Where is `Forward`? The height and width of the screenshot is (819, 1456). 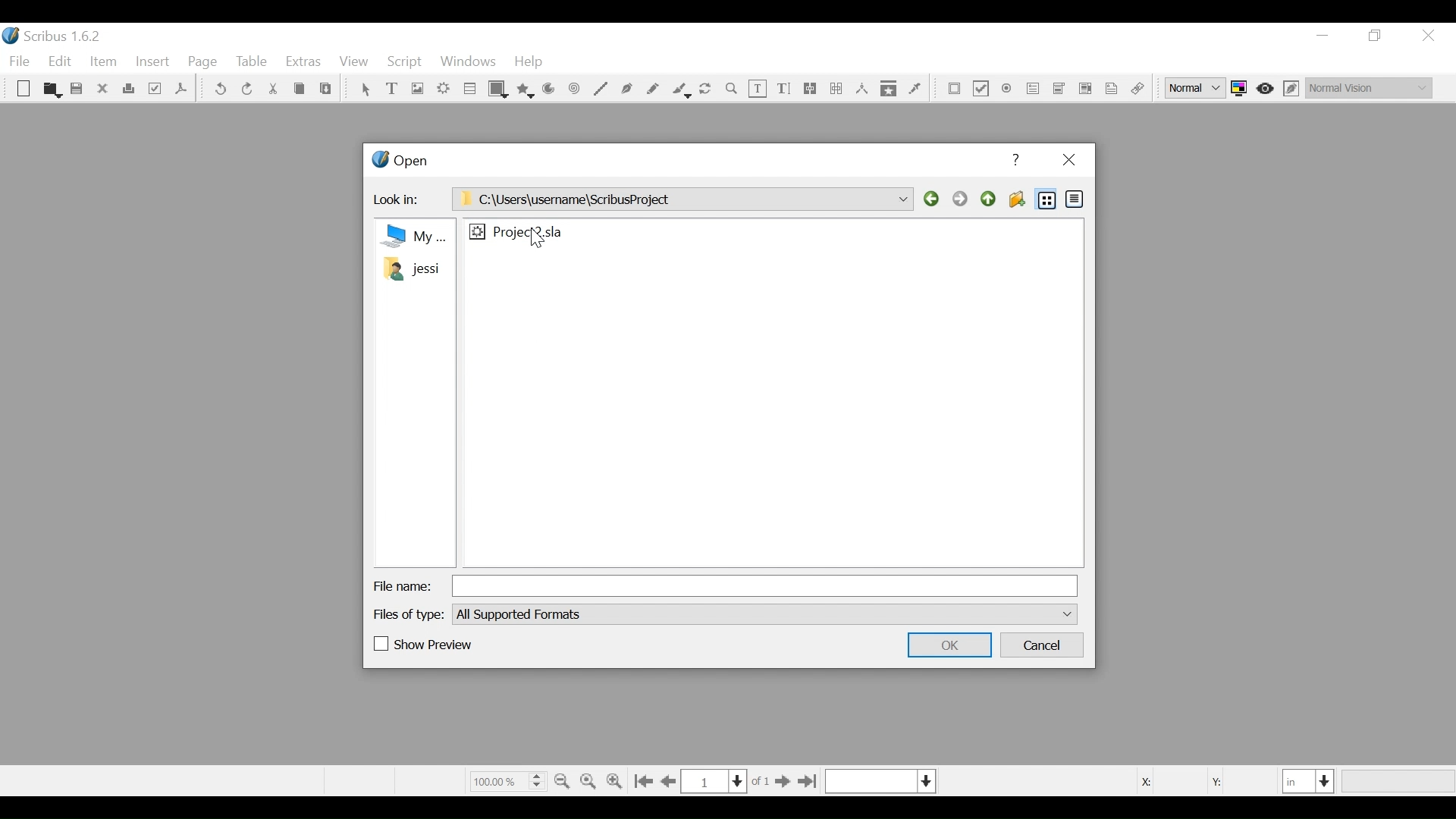 Forward is located at coordinates (962, 199).